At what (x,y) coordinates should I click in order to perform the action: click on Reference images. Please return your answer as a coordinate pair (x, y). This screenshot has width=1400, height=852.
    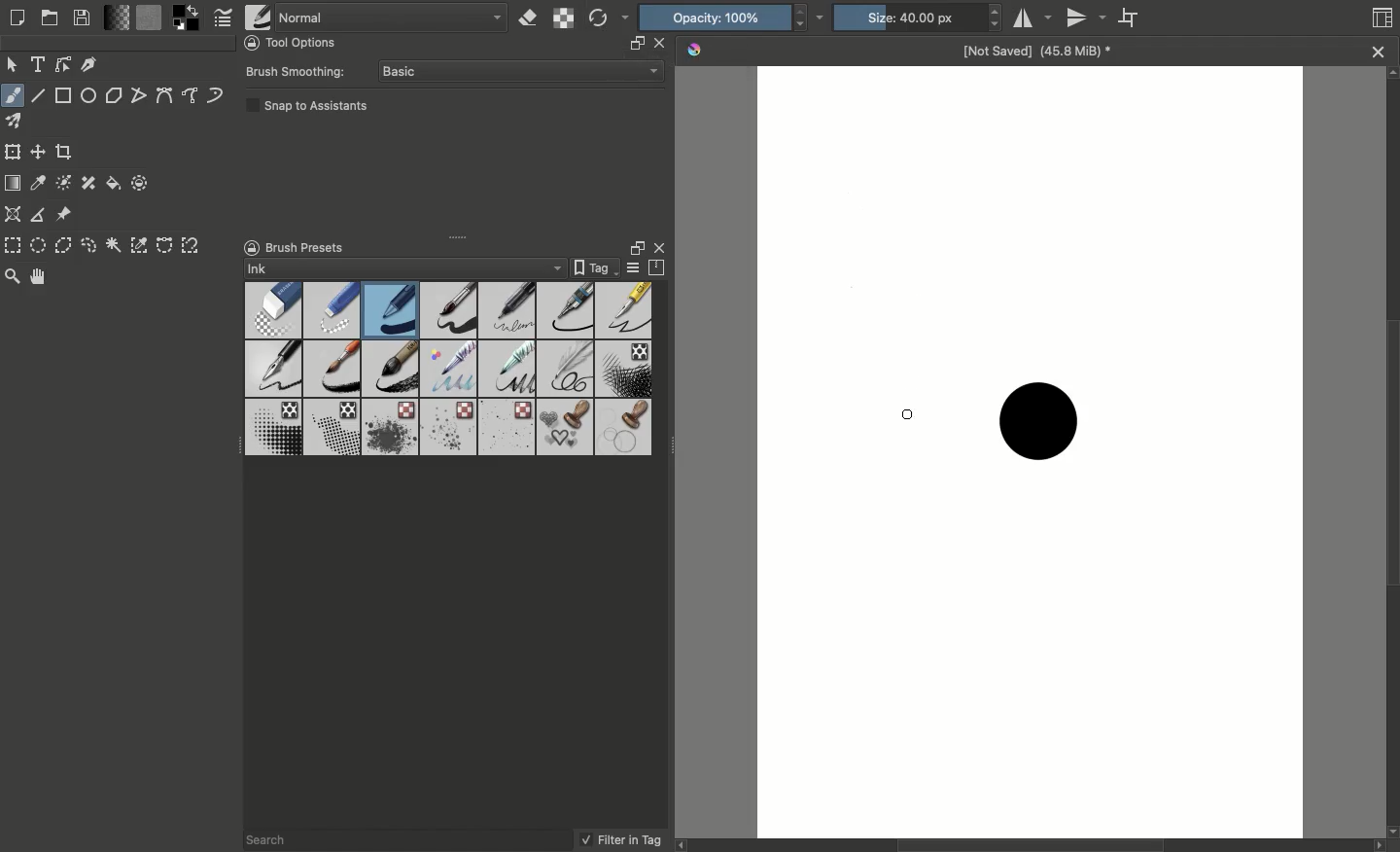
    Looking at the image, I should click on (65, 215).